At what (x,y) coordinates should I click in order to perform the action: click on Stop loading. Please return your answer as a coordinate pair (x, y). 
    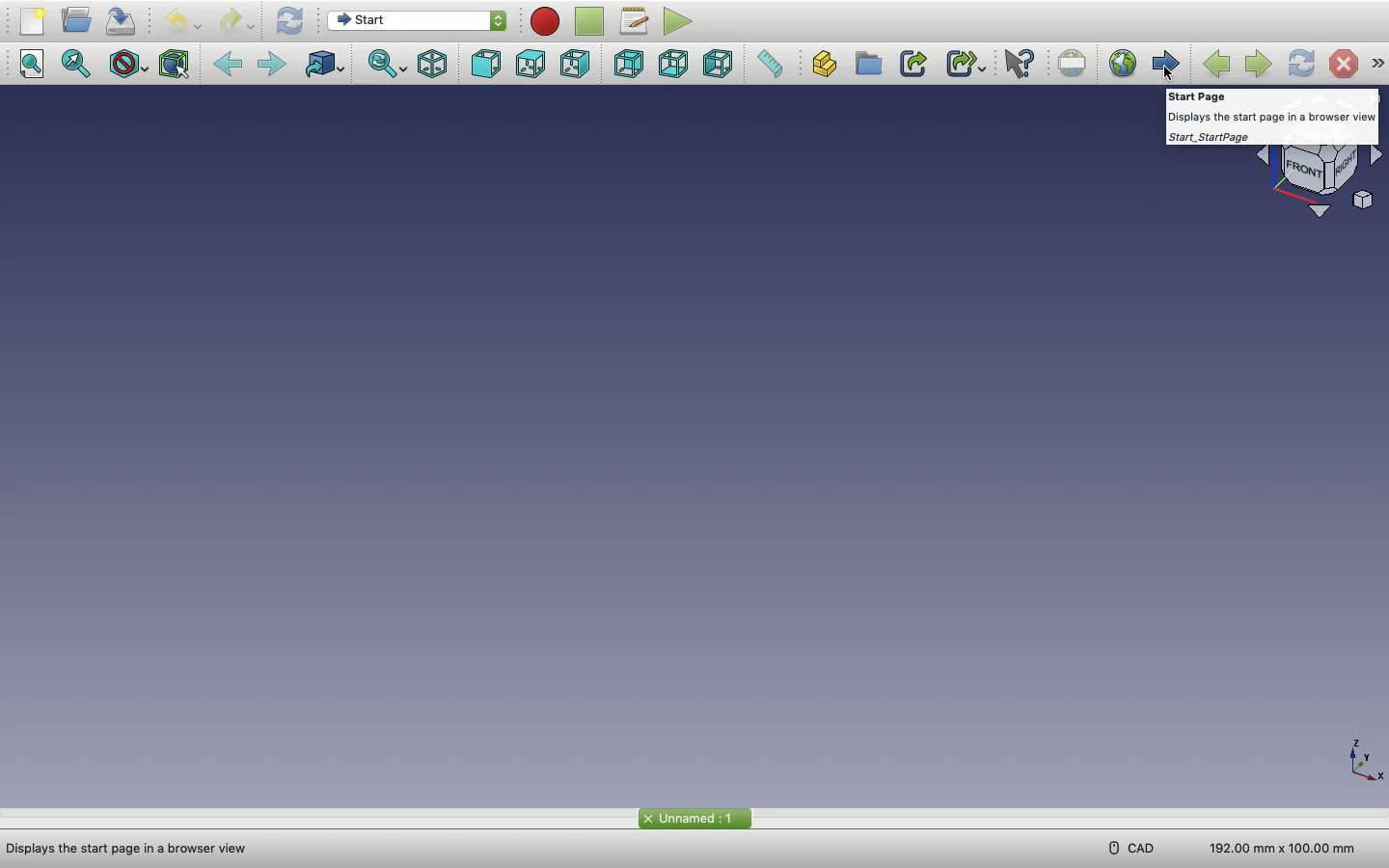
    Looking at the image, I should click on (1344, 64).